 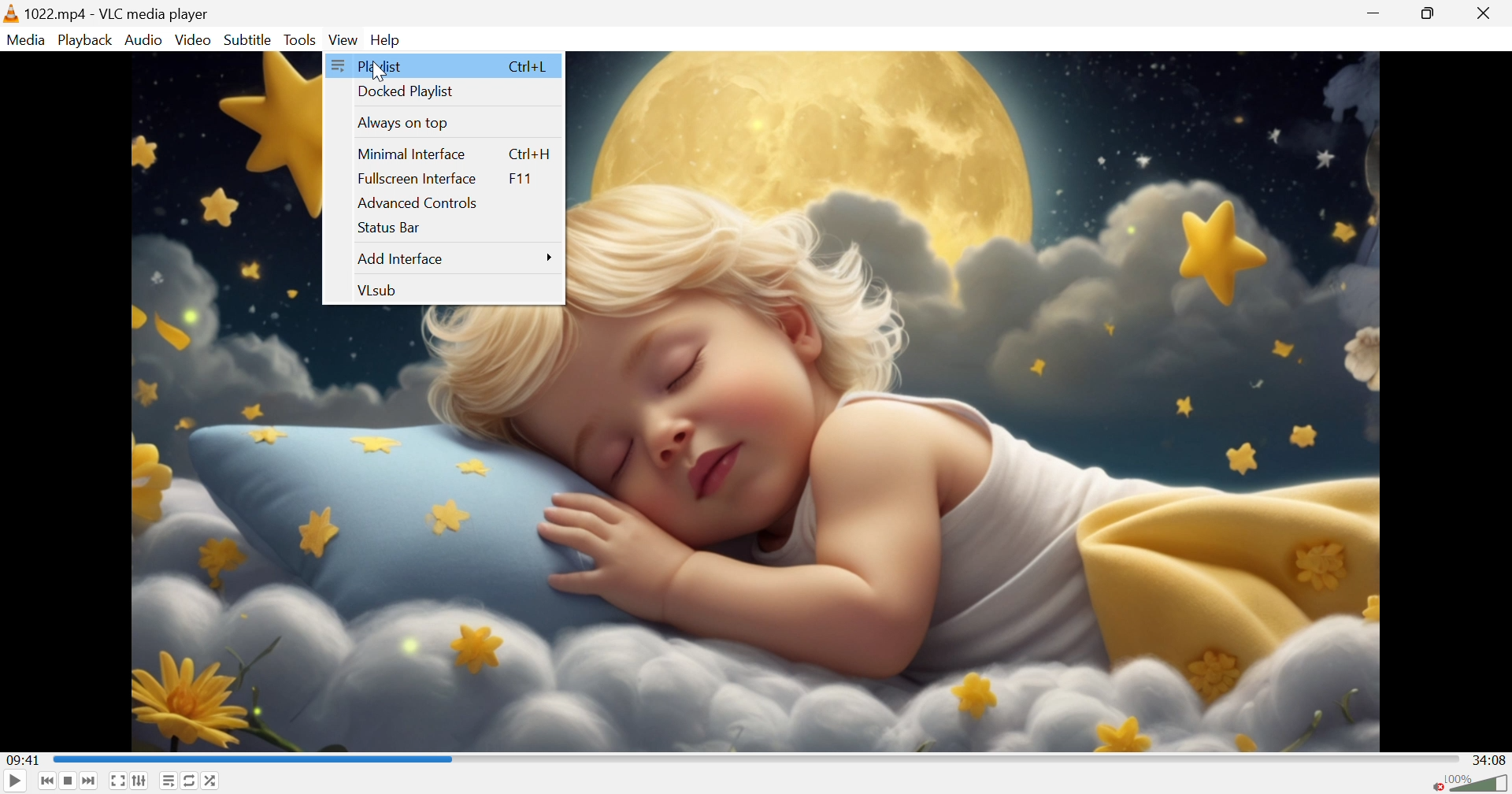 I want to click on cursor, so click(x=380, y=72).